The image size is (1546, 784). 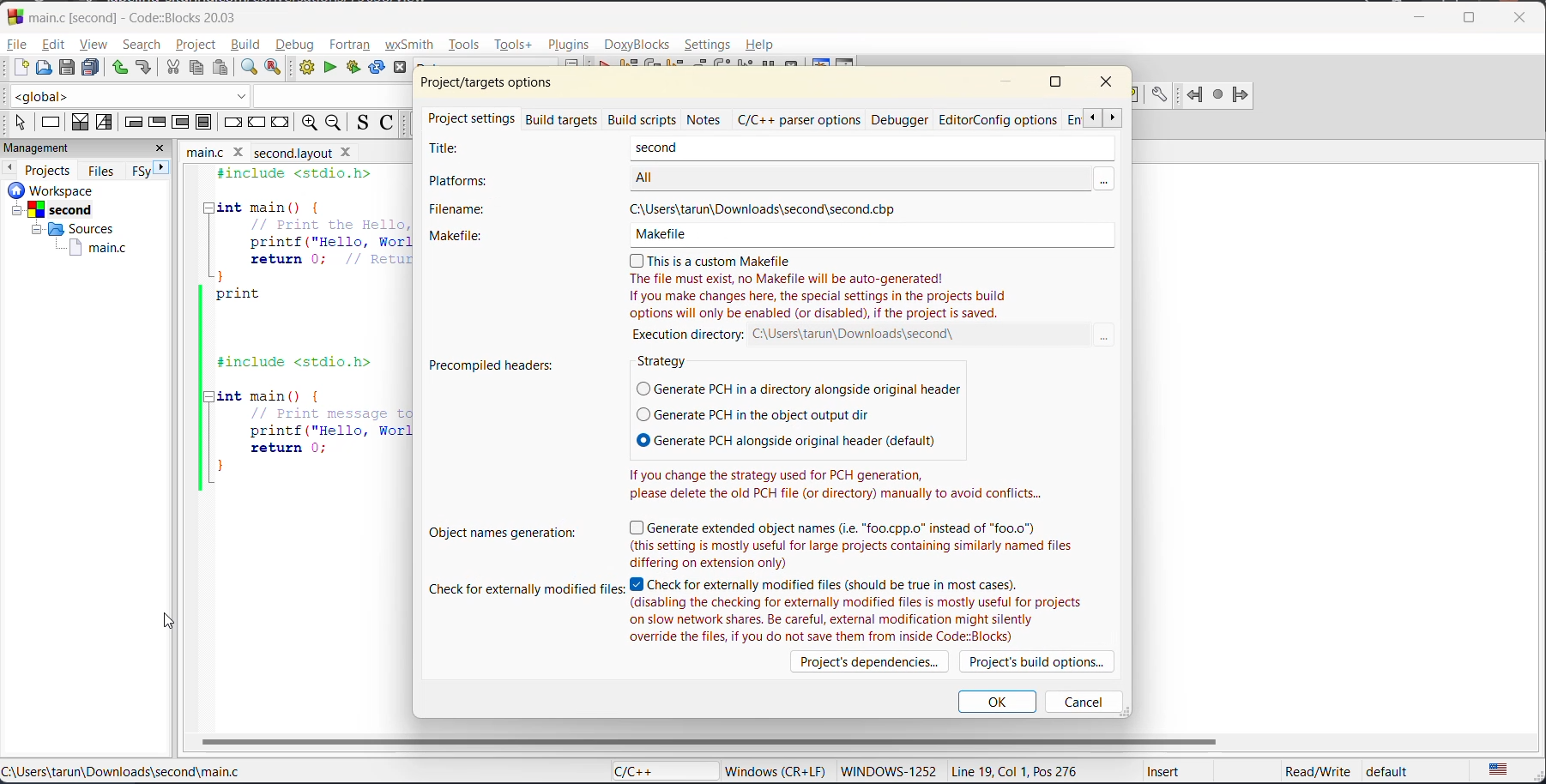 I want to click on precompiled headers, so click(x=487, y=363).